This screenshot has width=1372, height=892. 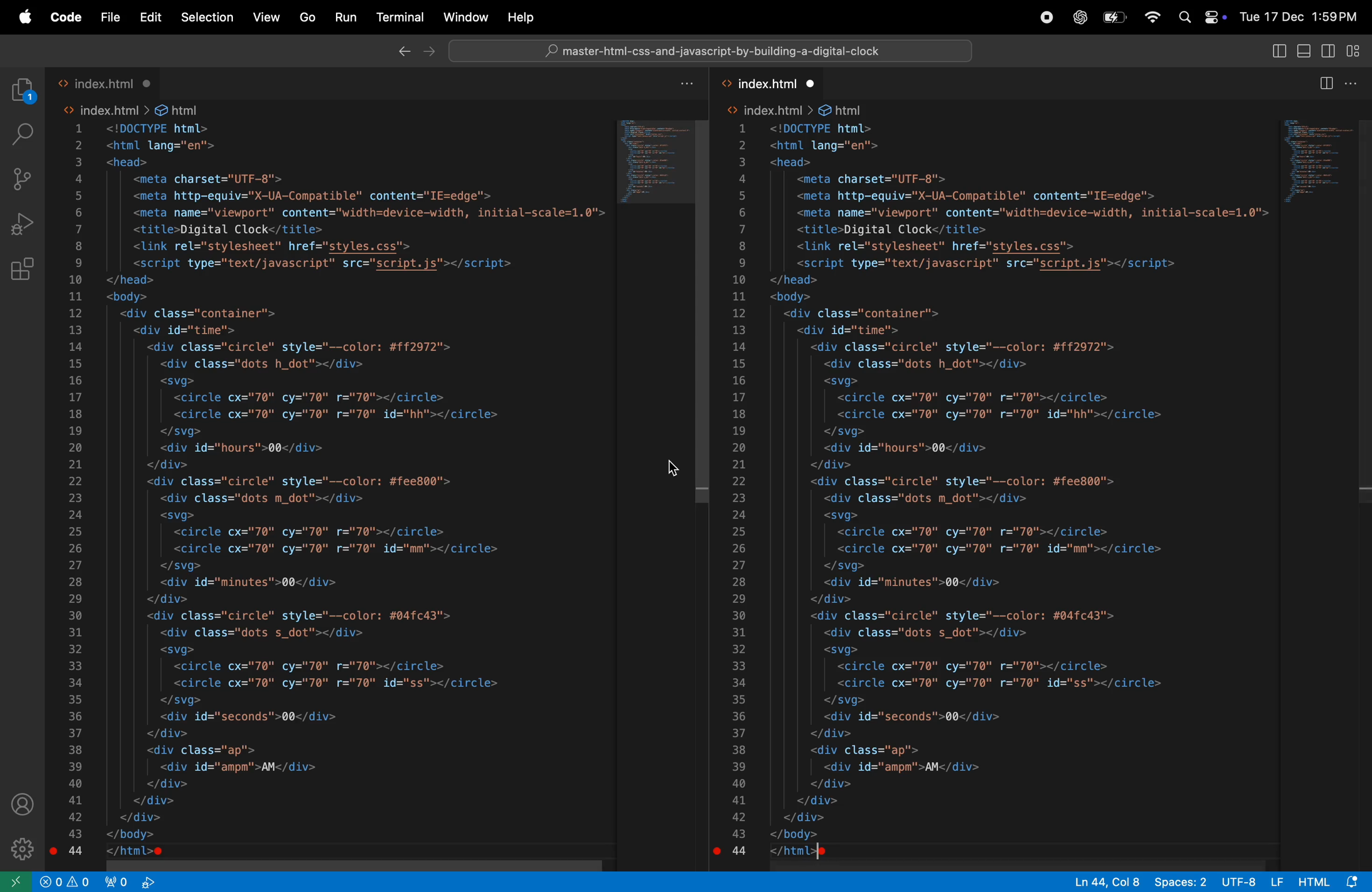 What do you see at coordinates (1151, 16) in the screenshot?
I see `wifi` at bounding box center [1151, 16].